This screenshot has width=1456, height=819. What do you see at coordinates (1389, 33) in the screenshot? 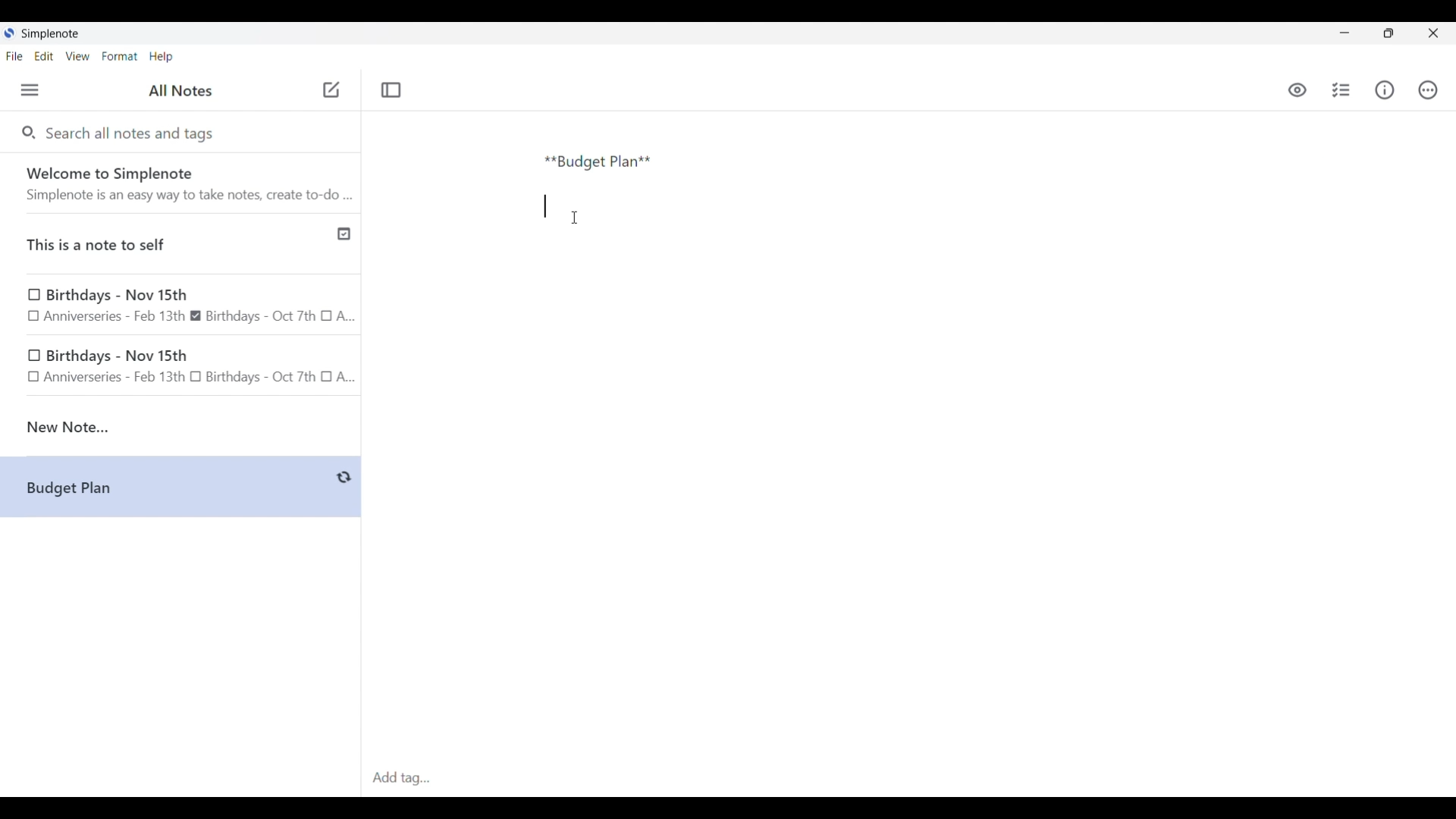
I see `Show interface in a smaller tab` at bounding box center [1389, 33].